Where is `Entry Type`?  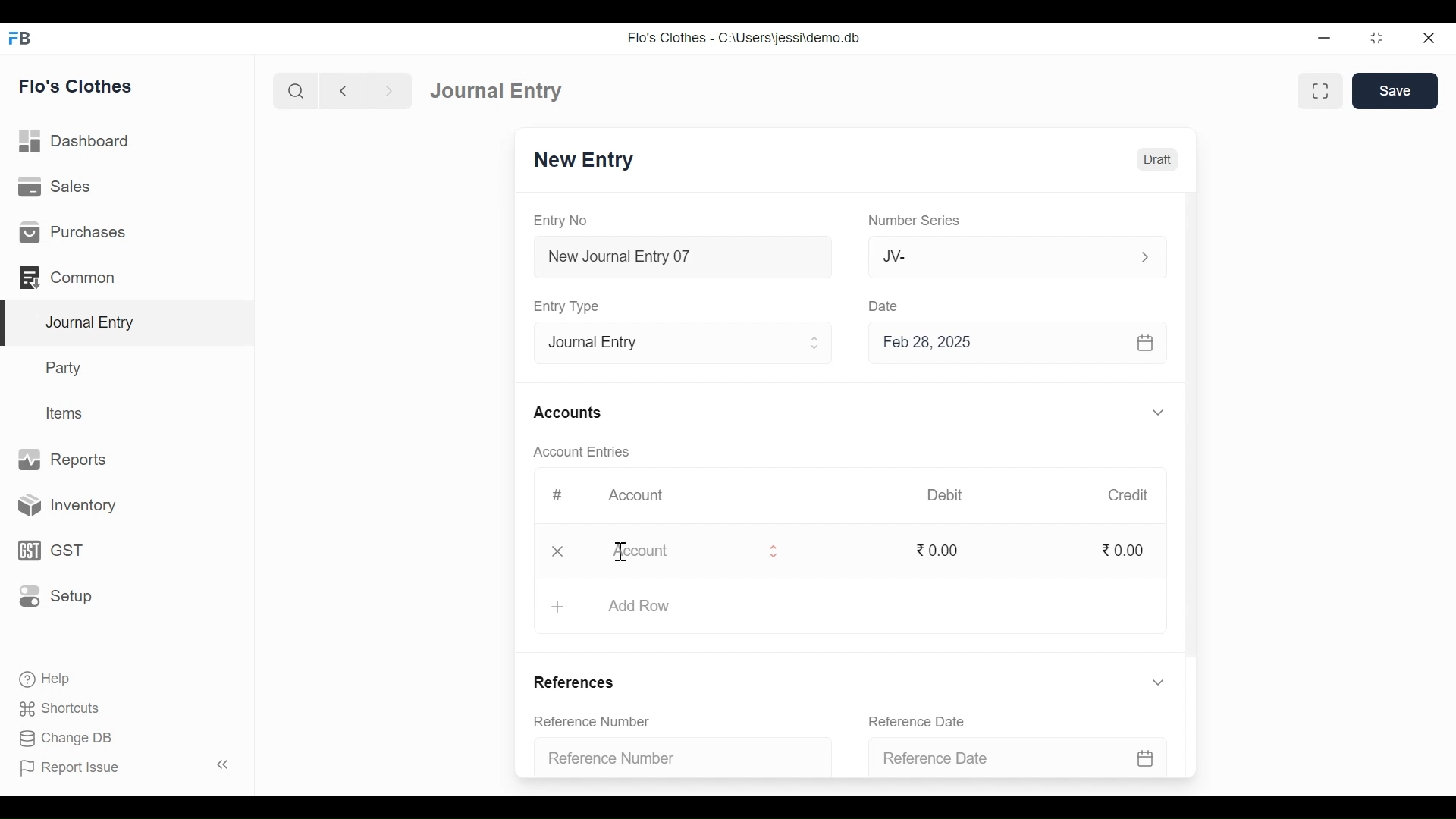 Entry Type is located at coordinates (570, 306).